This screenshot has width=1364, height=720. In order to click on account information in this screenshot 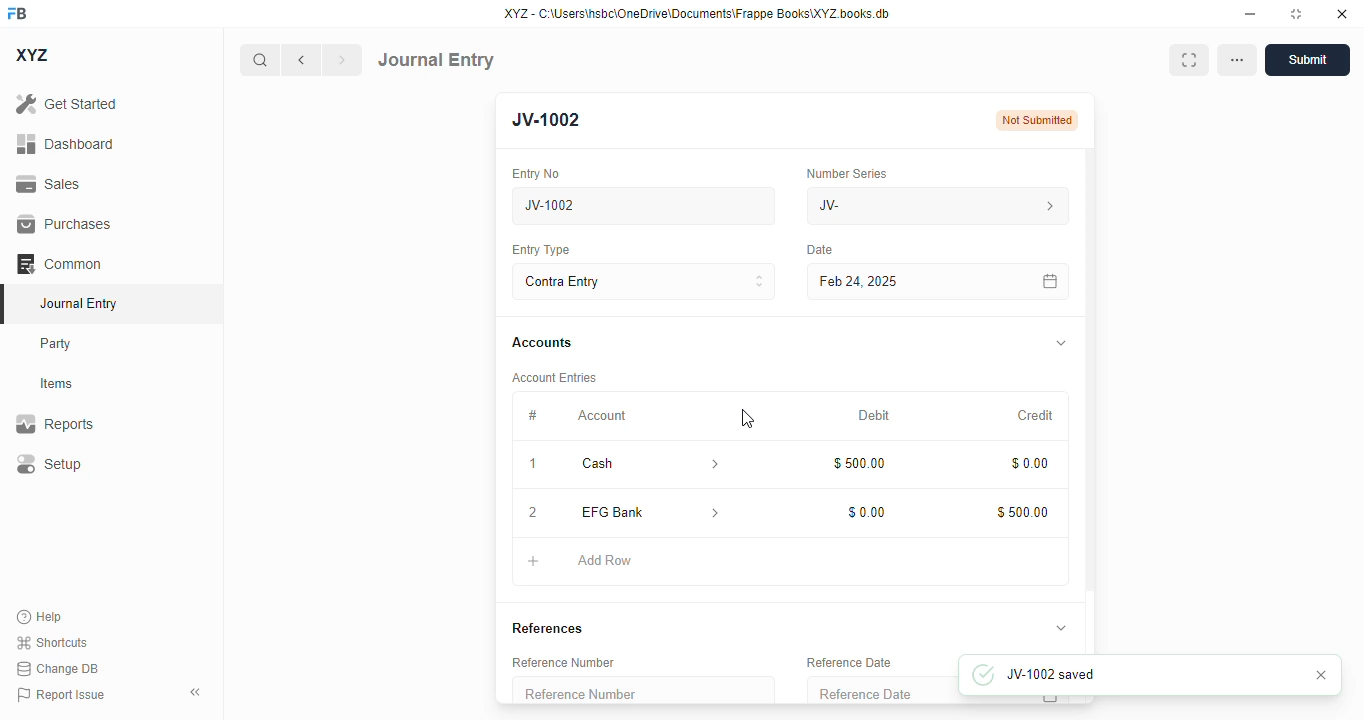, I will do `click(712, 464)`.